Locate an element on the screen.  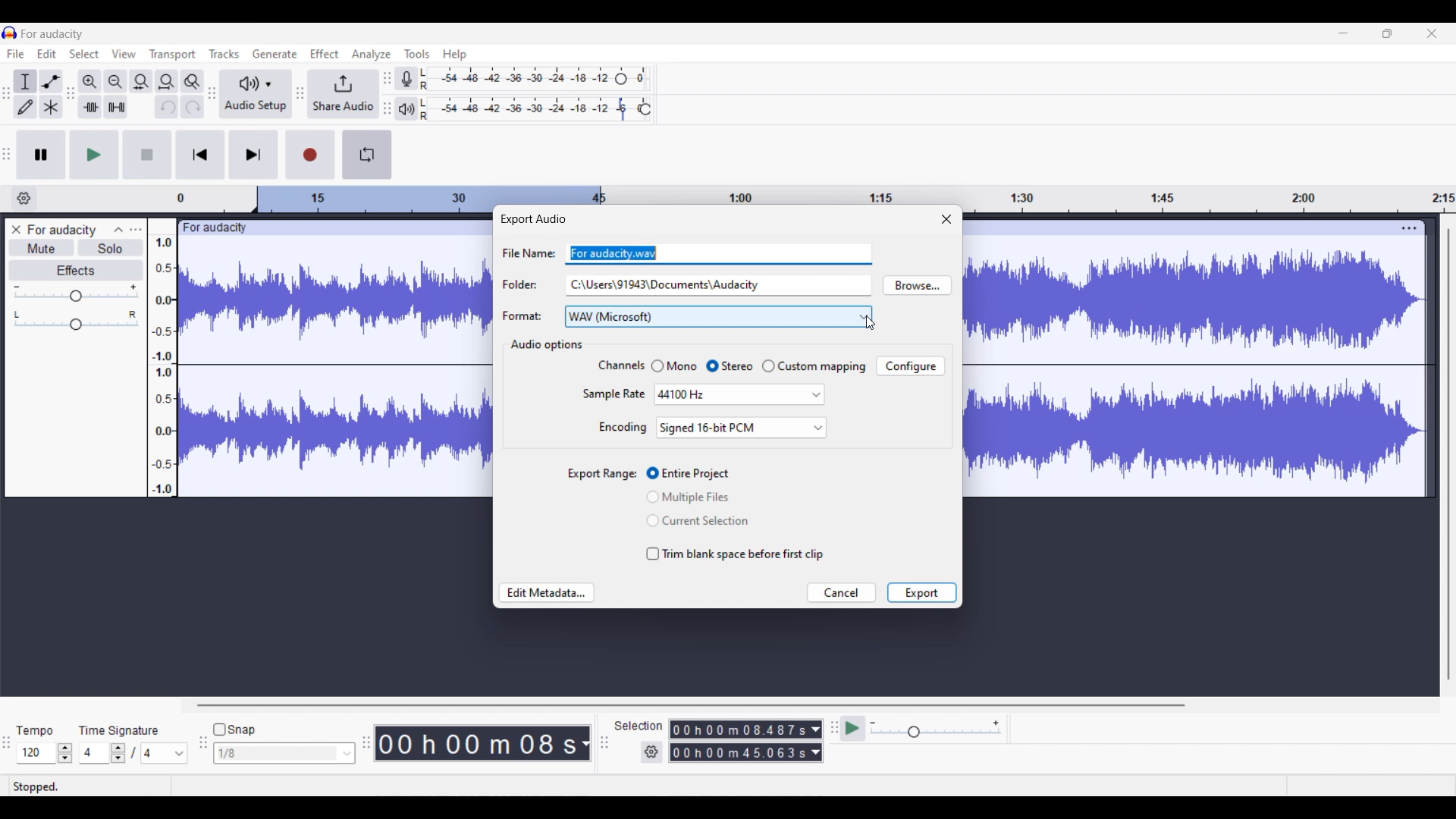
Fit project to width is located at coordinates (168, 82).